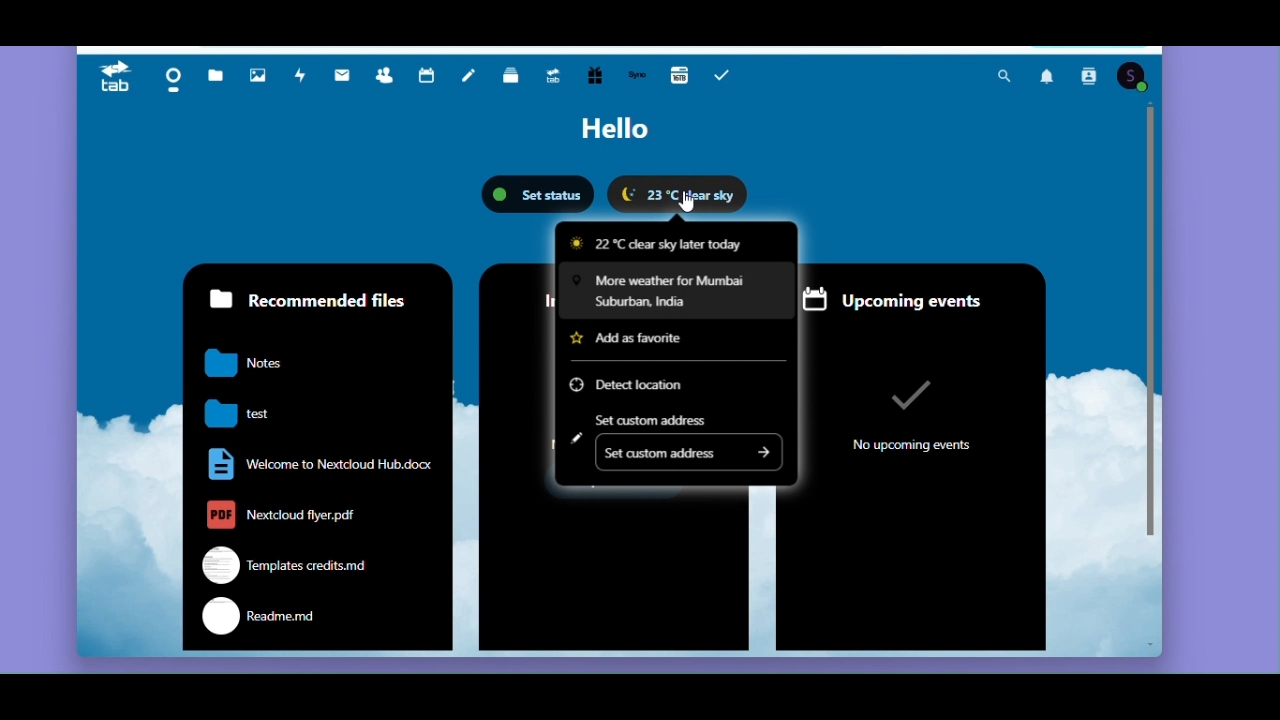 The image size is (1280, 720). Describe the element at coordinates (513, 76) in the screenshot. I see `Deck` at that location.